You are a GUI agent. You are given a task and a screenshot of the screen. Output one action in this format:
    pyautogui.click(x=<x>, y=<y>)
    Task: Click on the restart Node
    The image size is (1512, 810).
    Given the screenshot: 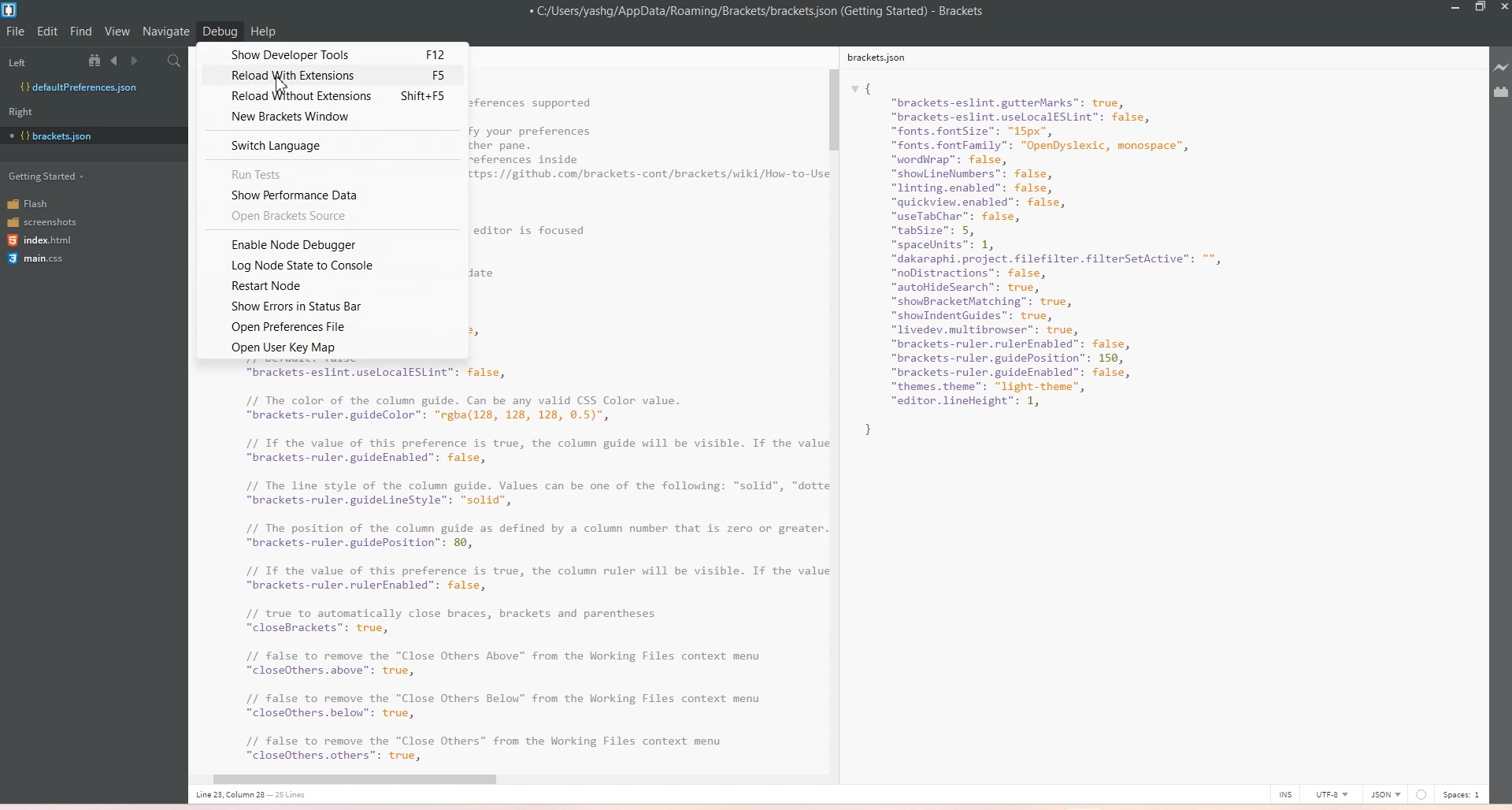 What is the action you would take?
    pyautogui.click(x=327, y=284)
    